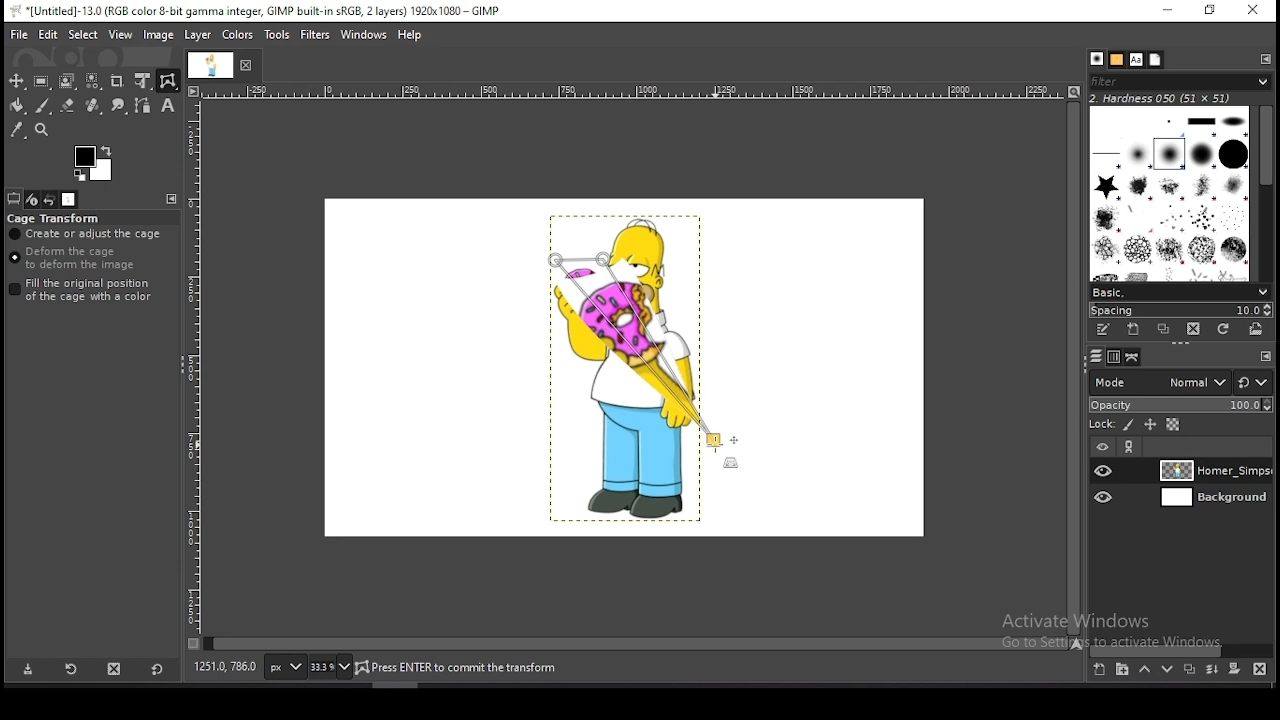  What do you see at coordinates (1181, 290) in the screenshot?
I see `brush presets` at bounding box center [1181, 290].